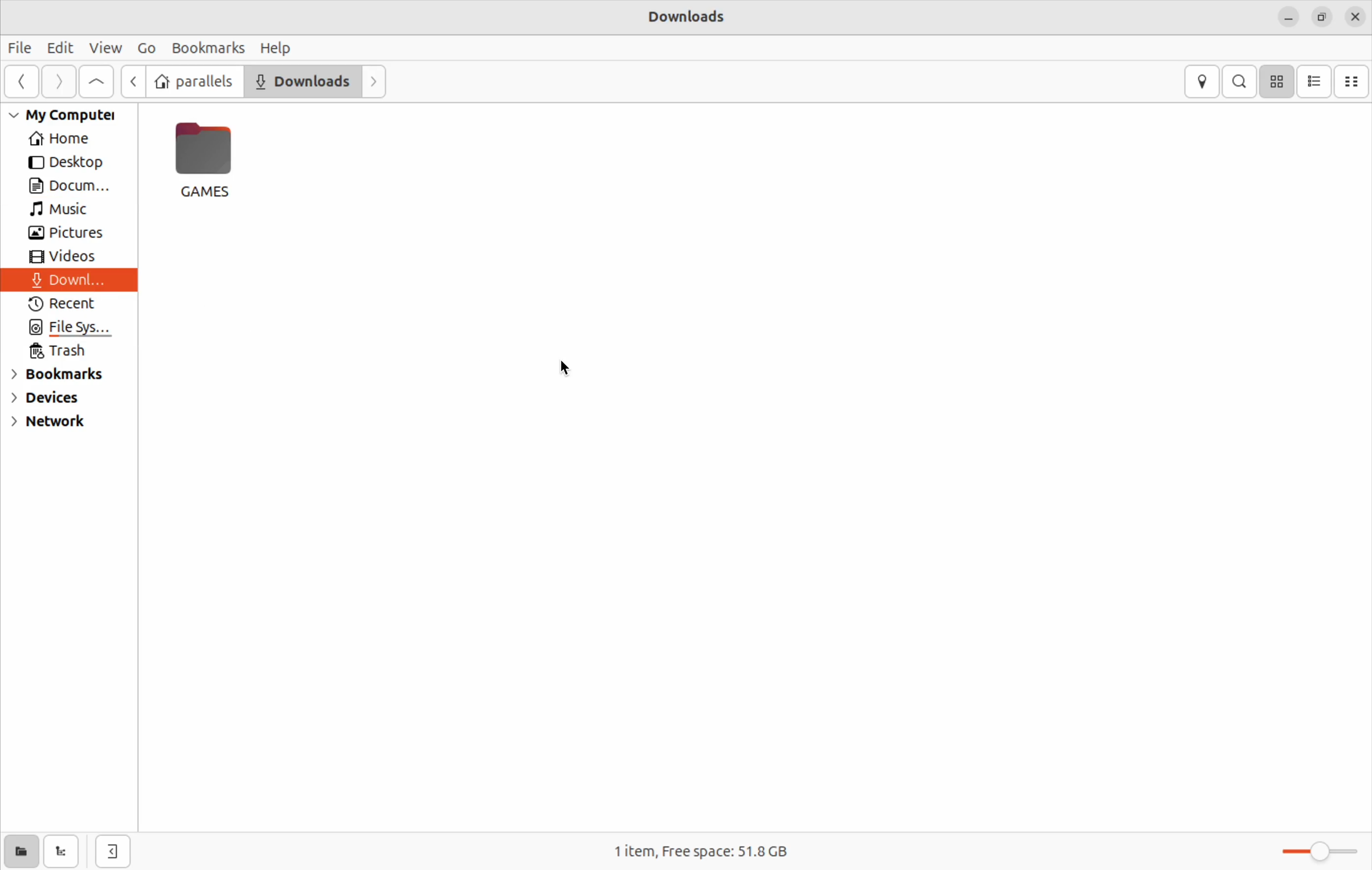 This screenshot has height=870, width=1372. What do you see at coordinates (1322, 16) in the screenshot?
I see `resize` at bounding box center [1322, 16].